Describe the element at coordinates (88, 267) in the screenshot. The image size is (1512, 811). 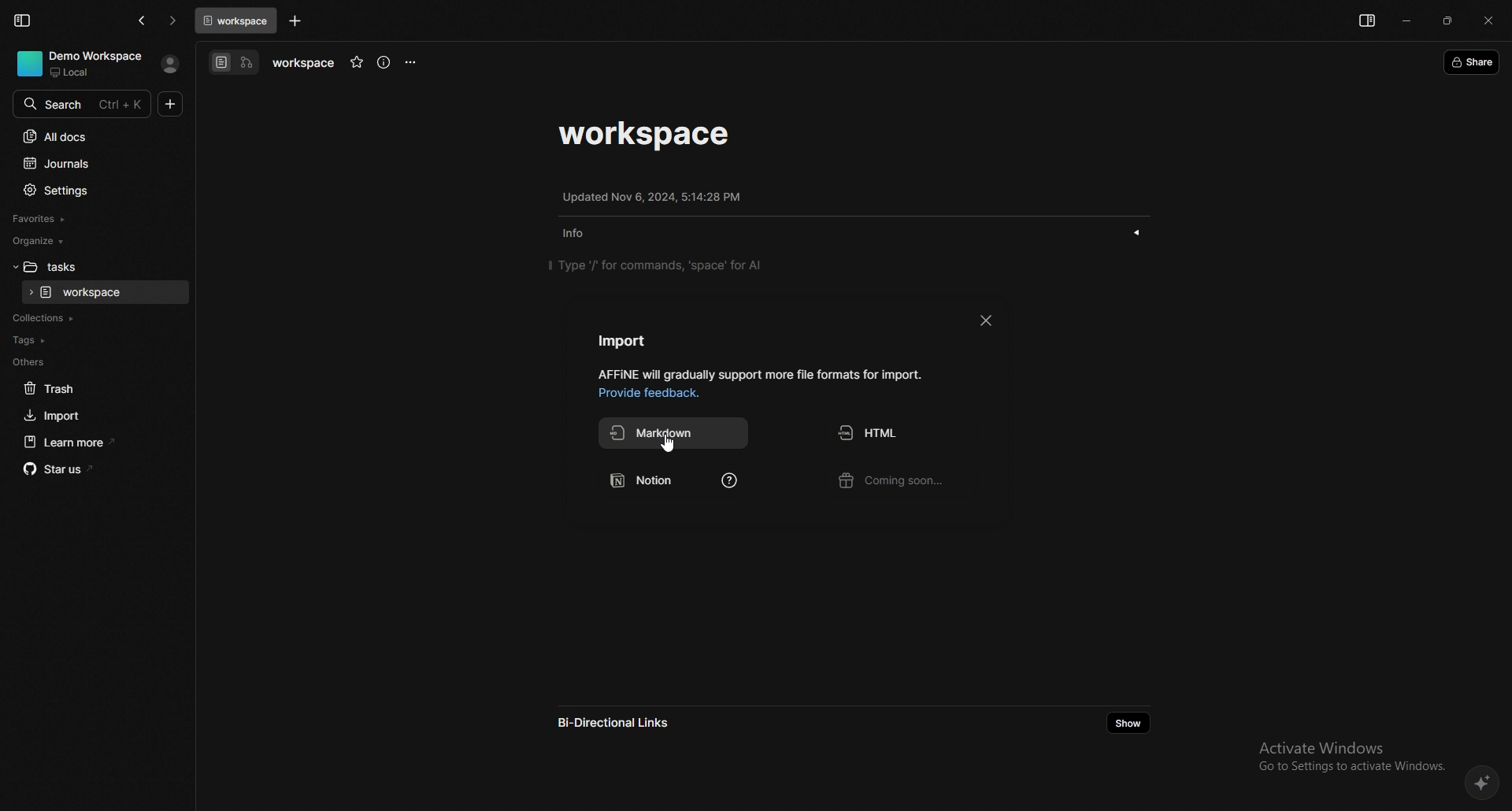
I see `folder` at that location.